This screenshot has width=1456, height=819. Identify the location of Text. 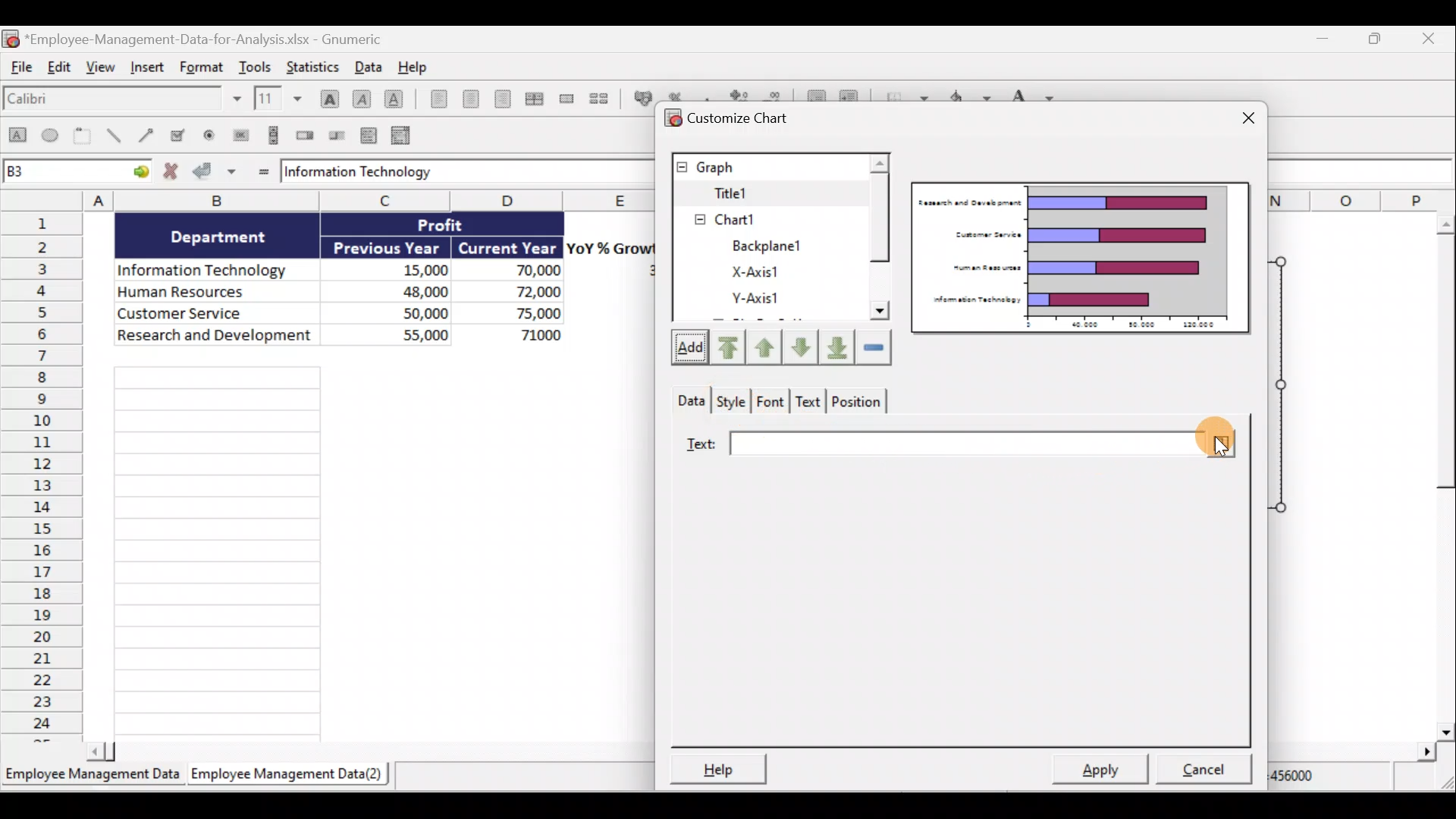
(930, 445).